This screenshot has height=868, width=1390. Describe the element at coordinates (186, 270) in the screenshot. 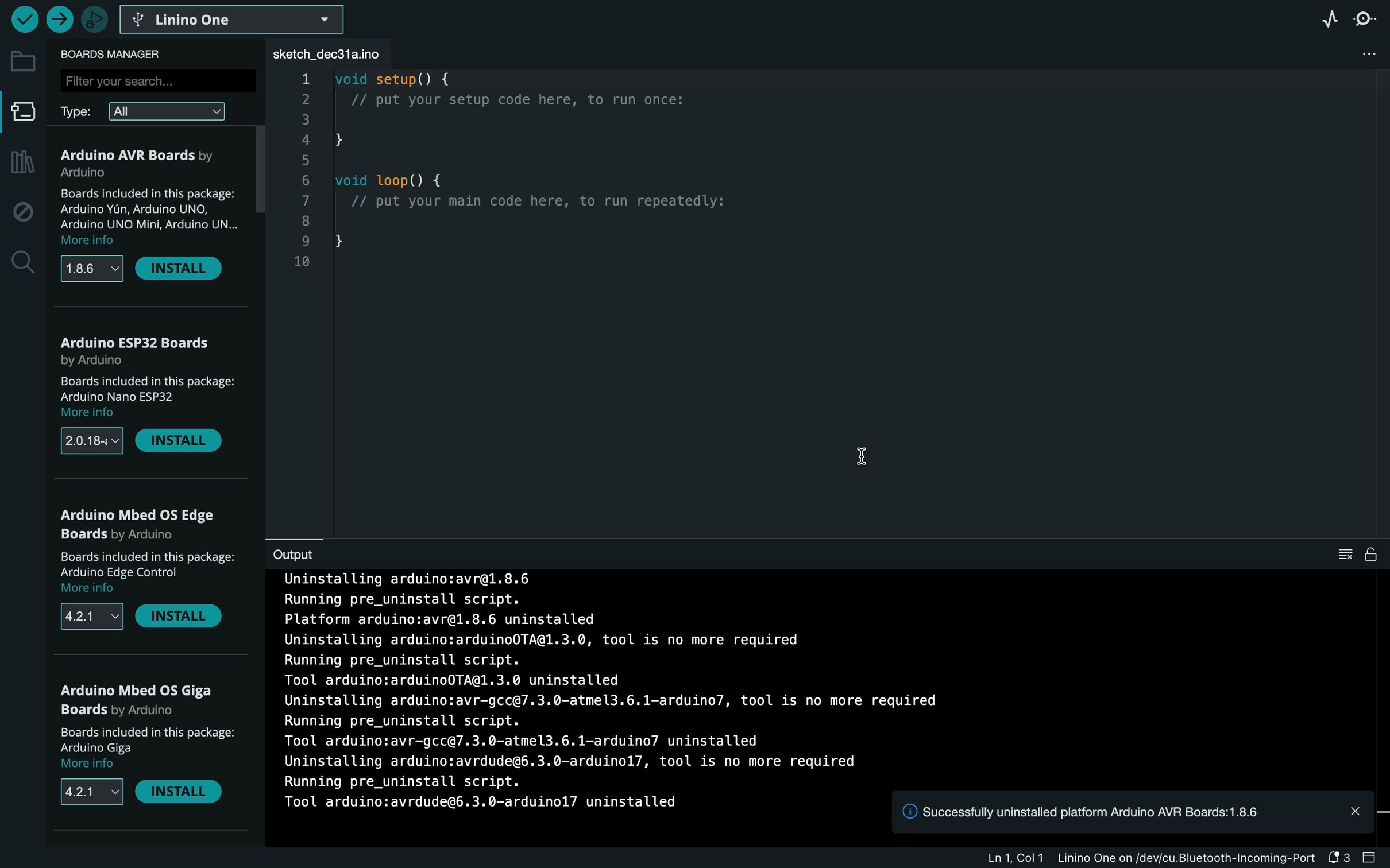

I see `remove` at that location.